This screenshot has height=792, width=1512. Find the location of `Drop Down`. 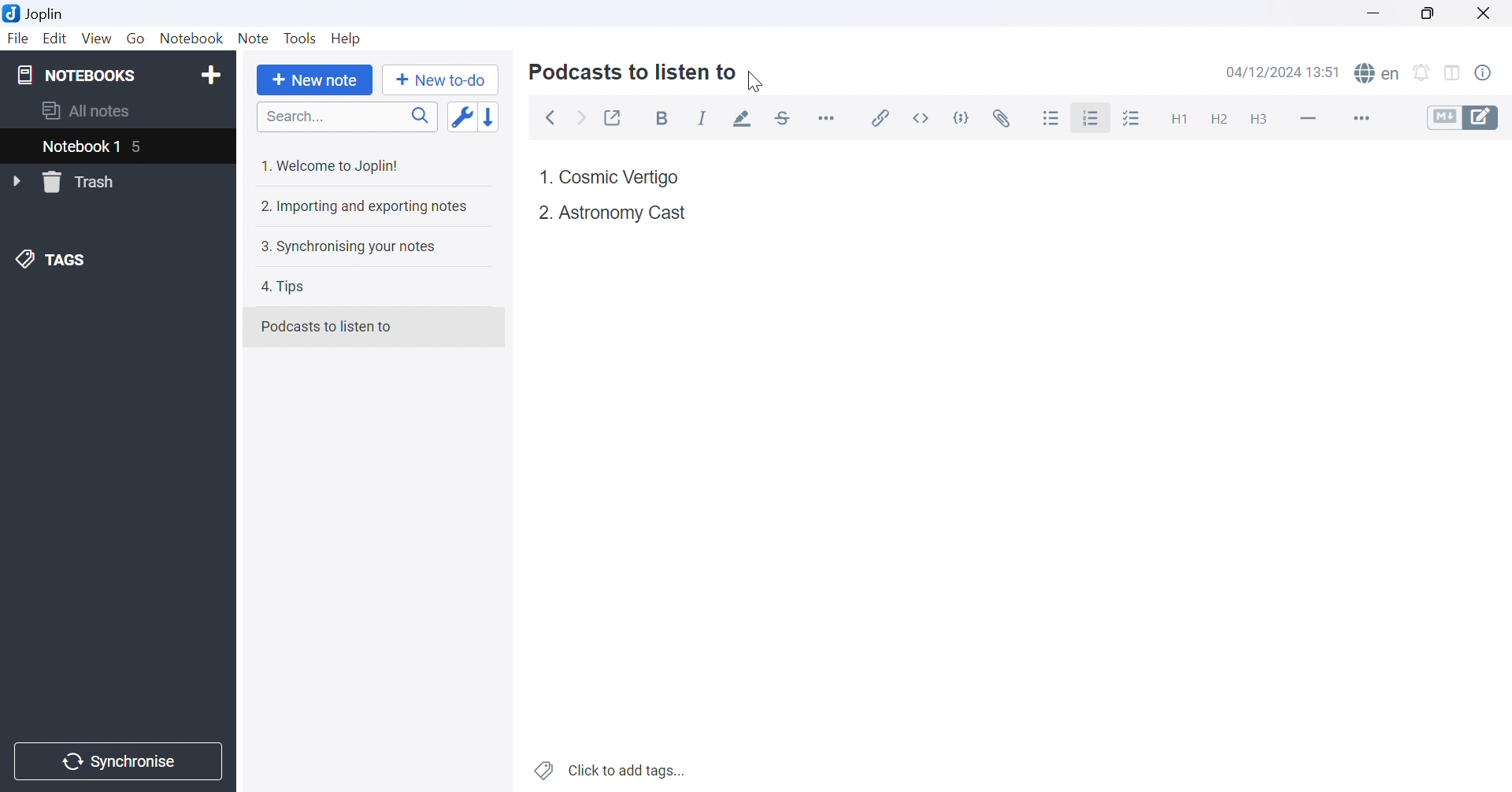

Drop Down is located at coordinates (18, 182).